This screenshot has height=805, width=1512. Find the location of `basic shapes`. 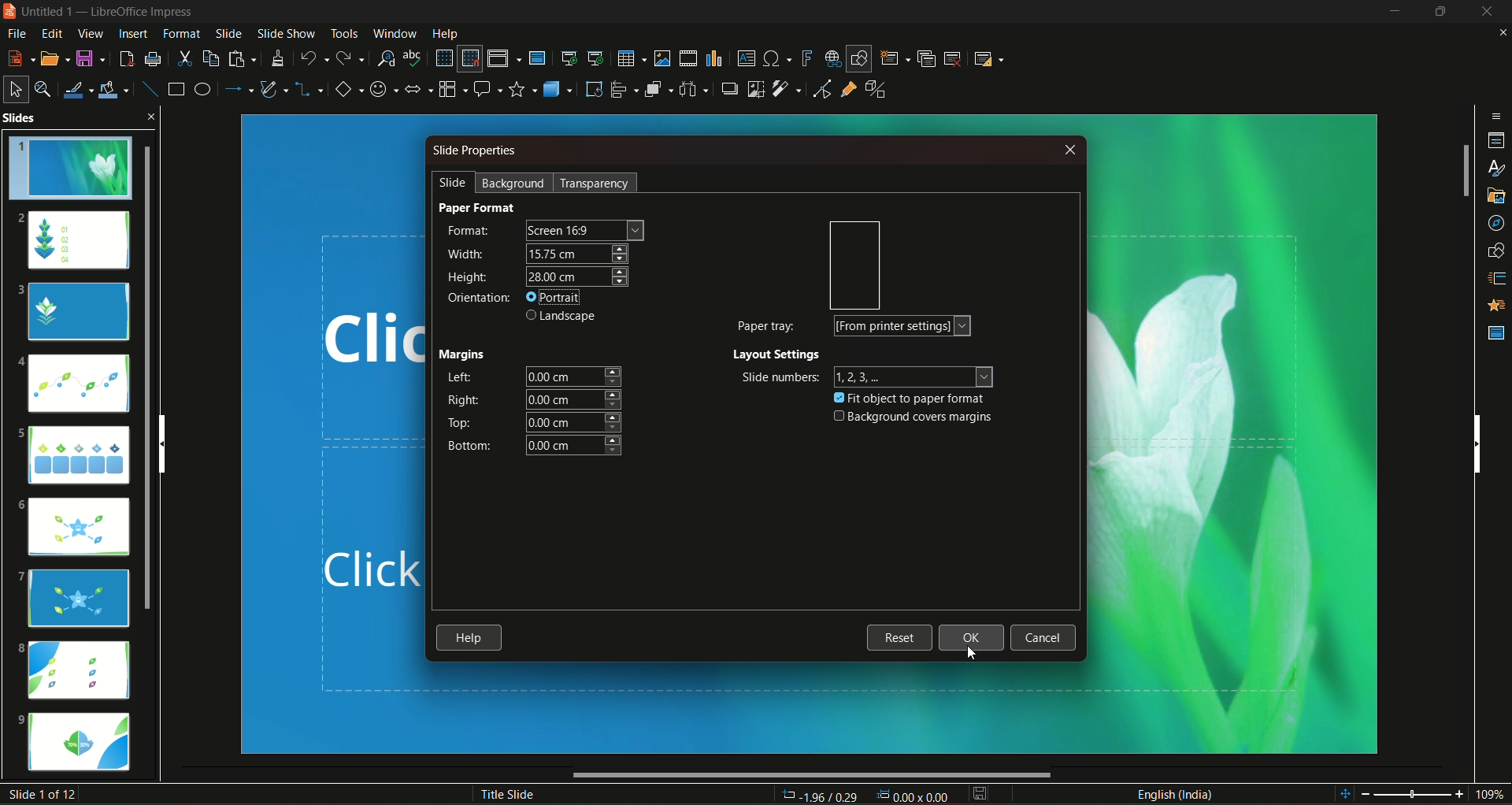

basic shapes is located at coordinates (347, 90).